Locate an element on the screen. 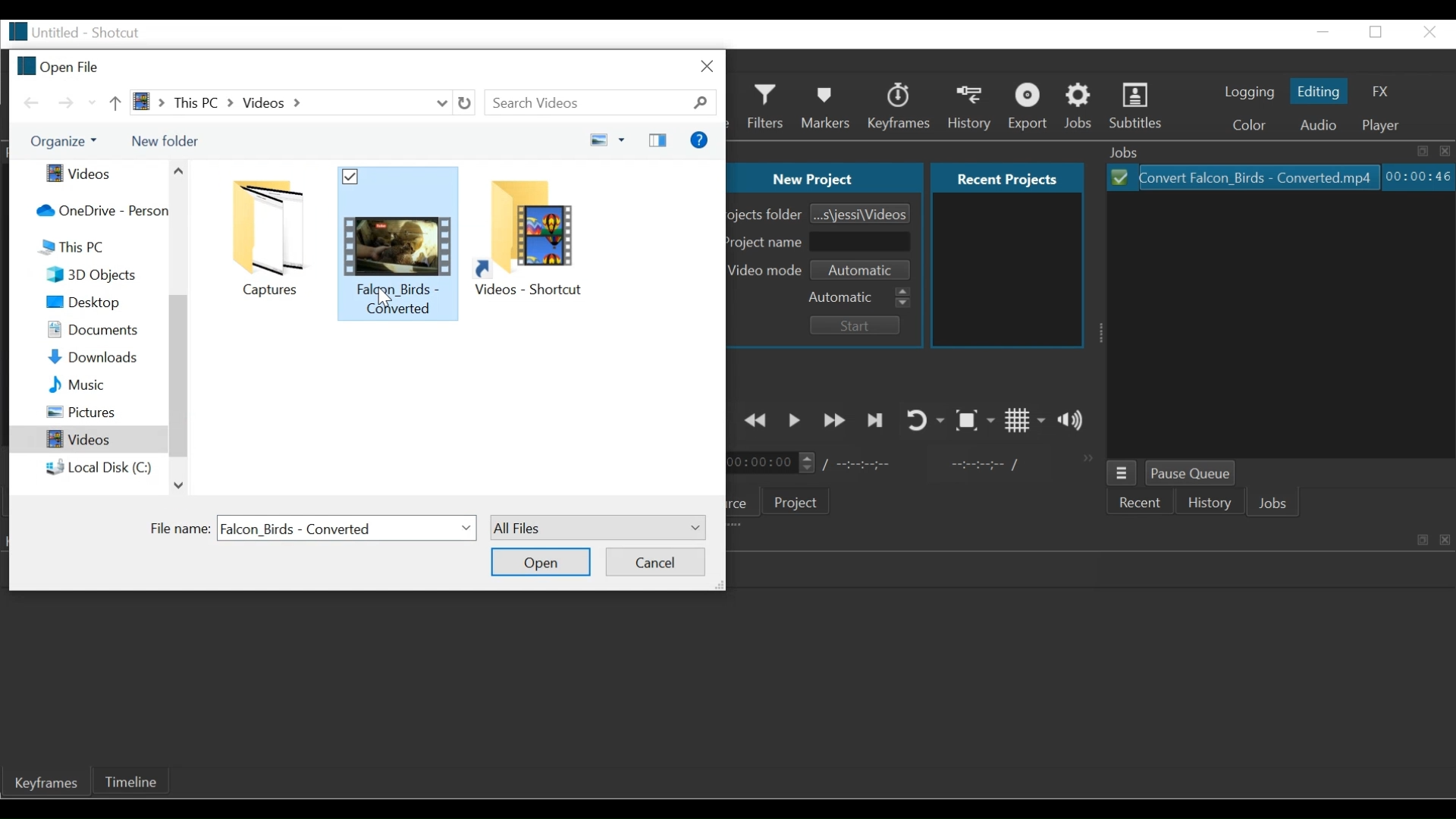 Image resolution: width=1456 pixels, height=819 pixels. This PC is located at coordinates (99, 247).